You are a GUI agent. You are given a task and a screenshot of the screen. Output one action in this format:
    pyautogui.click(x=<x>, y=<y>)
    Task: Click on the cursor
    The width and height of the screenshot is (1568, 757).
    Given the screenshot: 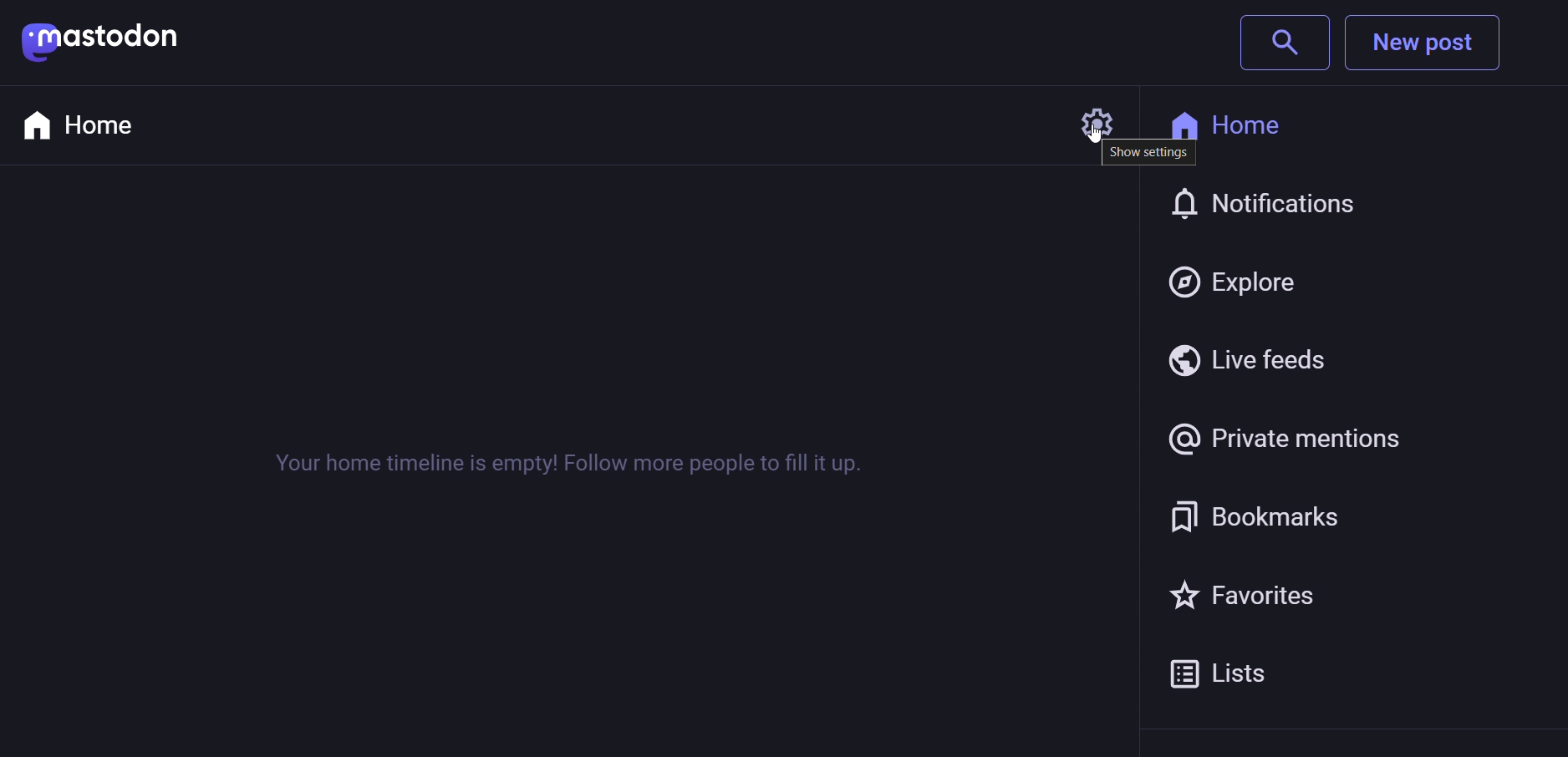 What is the action you would take?
    pyautogui.click(x=1084, y=142)
    